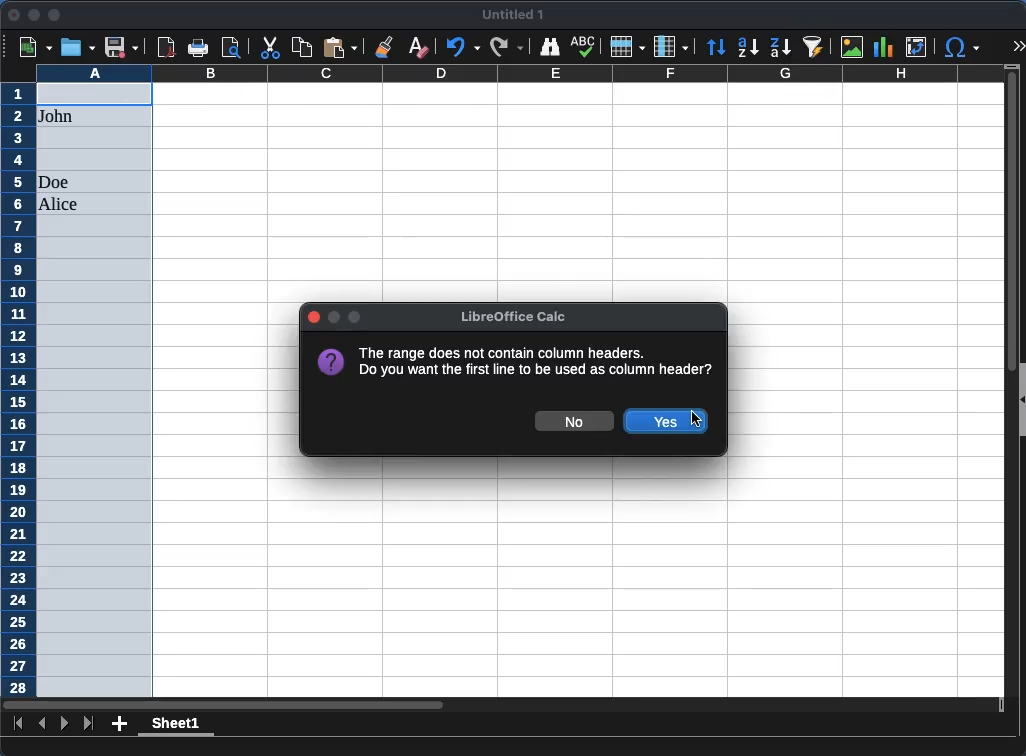  What do you see at coordinates (44, 723) in the screenshot?
I see `previous sheet` at bounding box center [44, 723].